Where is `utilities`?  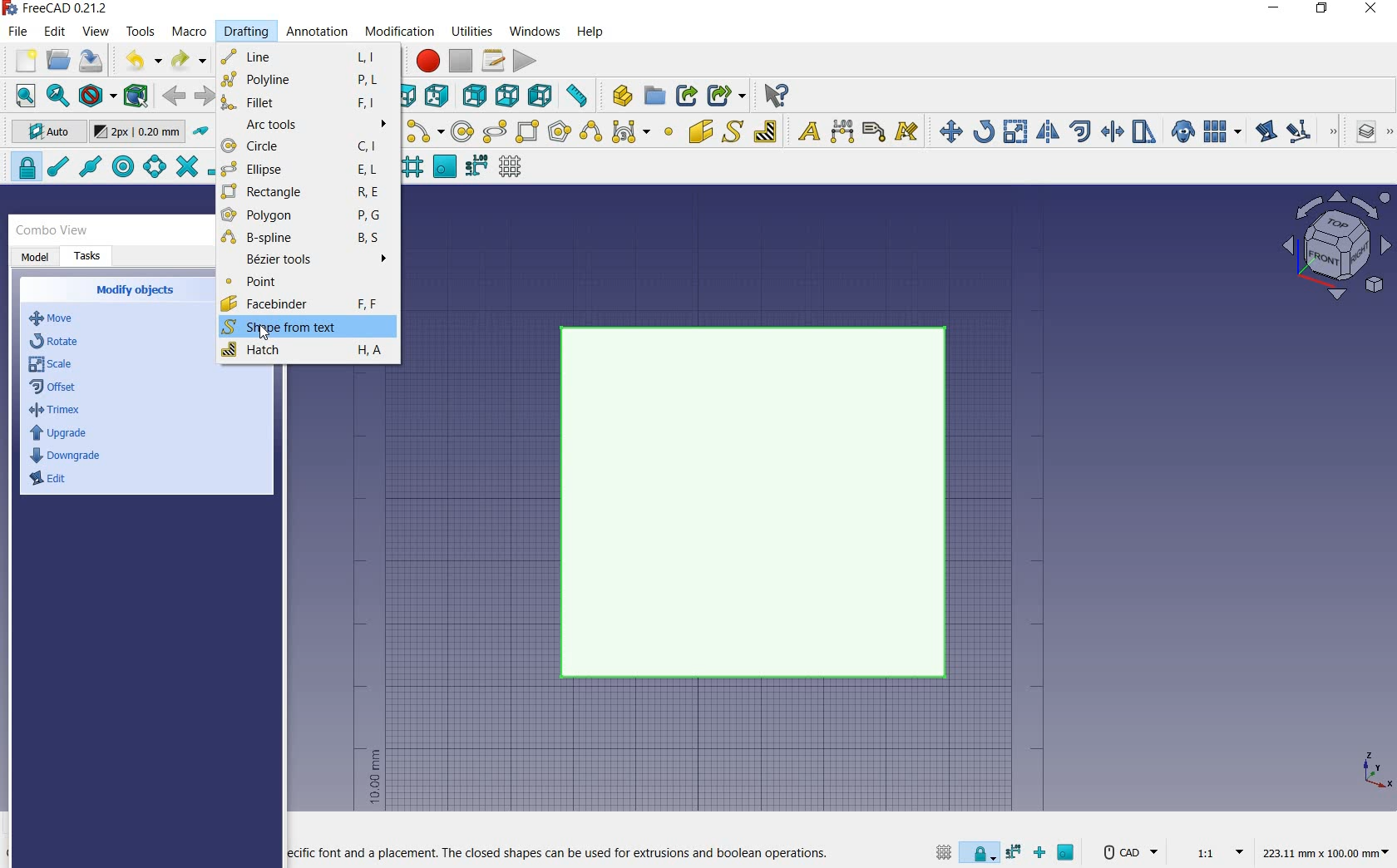
utilities is located at coordinates (473, 30).